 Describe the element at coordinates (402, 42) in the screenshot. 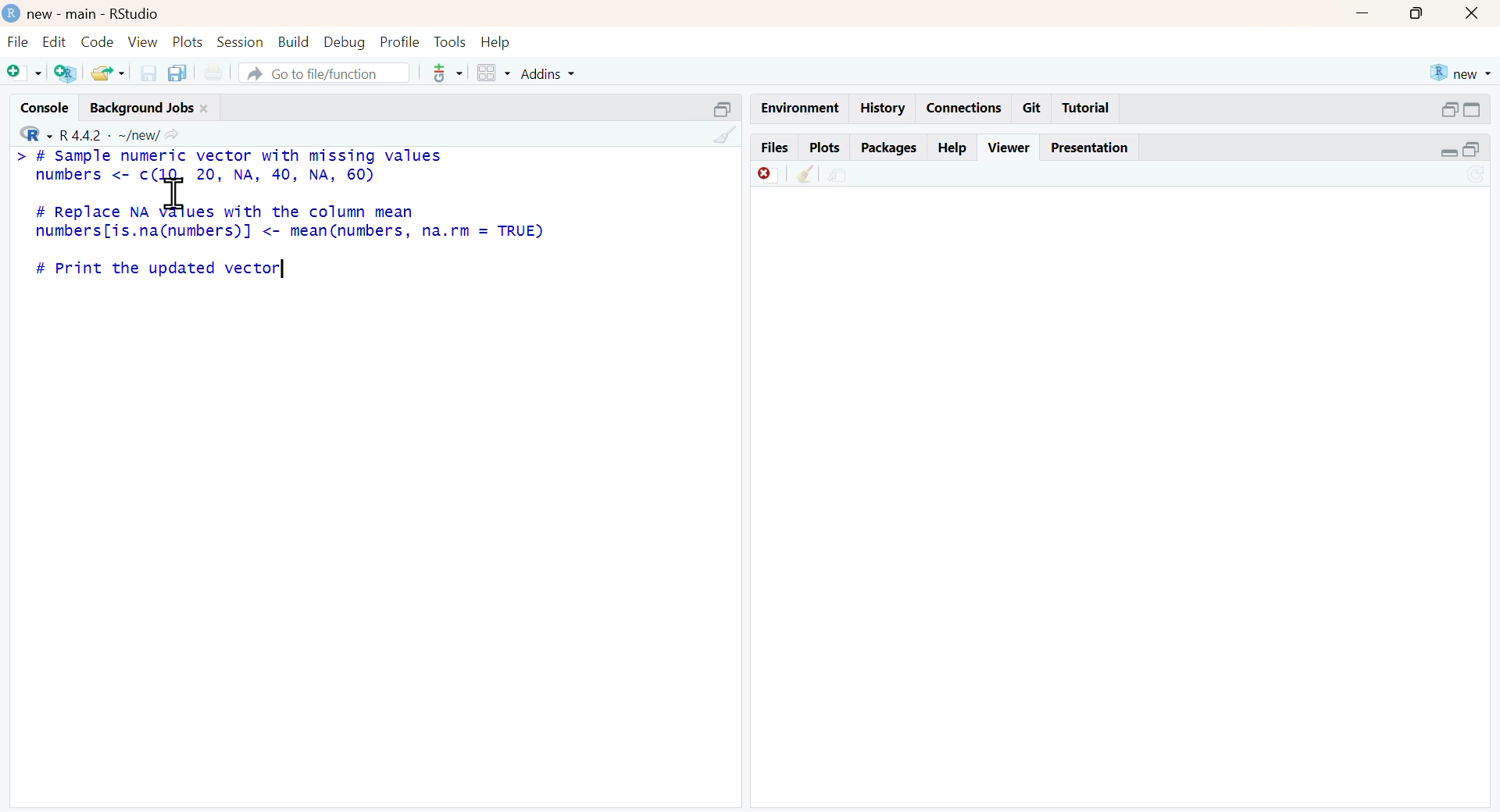

I see `profile` at that location.